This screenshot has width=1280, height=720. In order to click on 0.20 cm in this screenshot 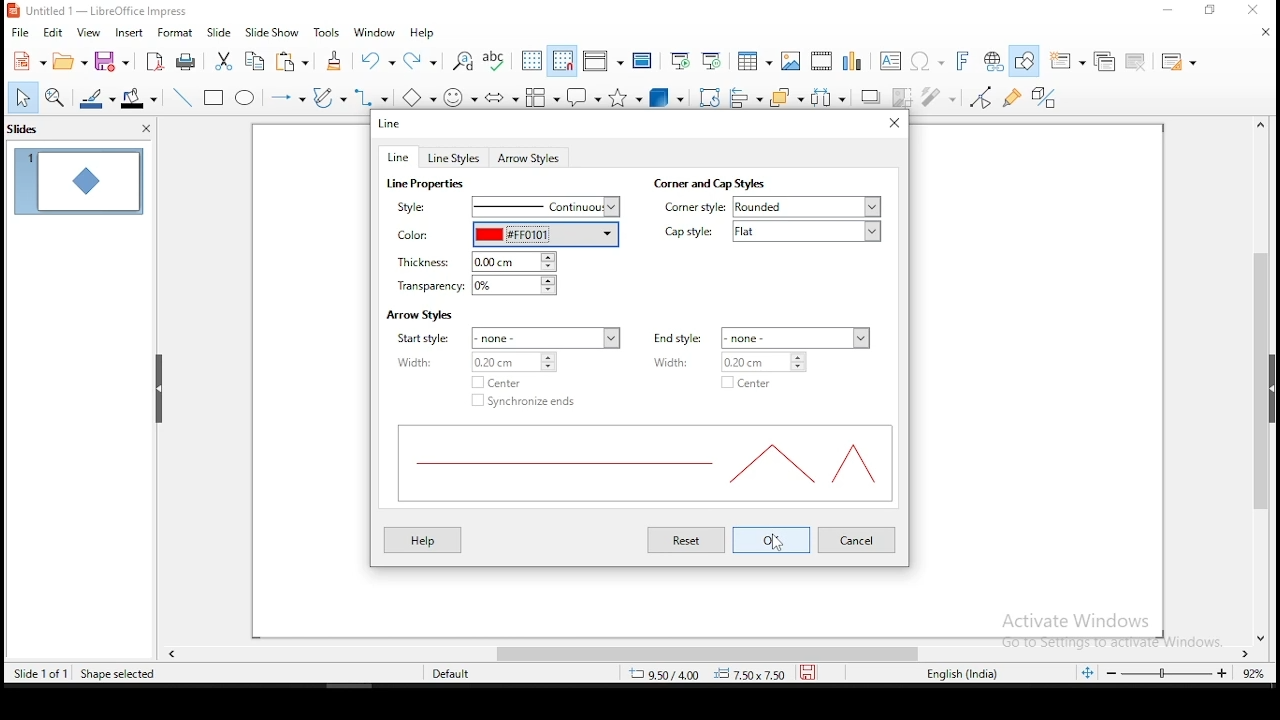, I will do `click(770, 362)`.